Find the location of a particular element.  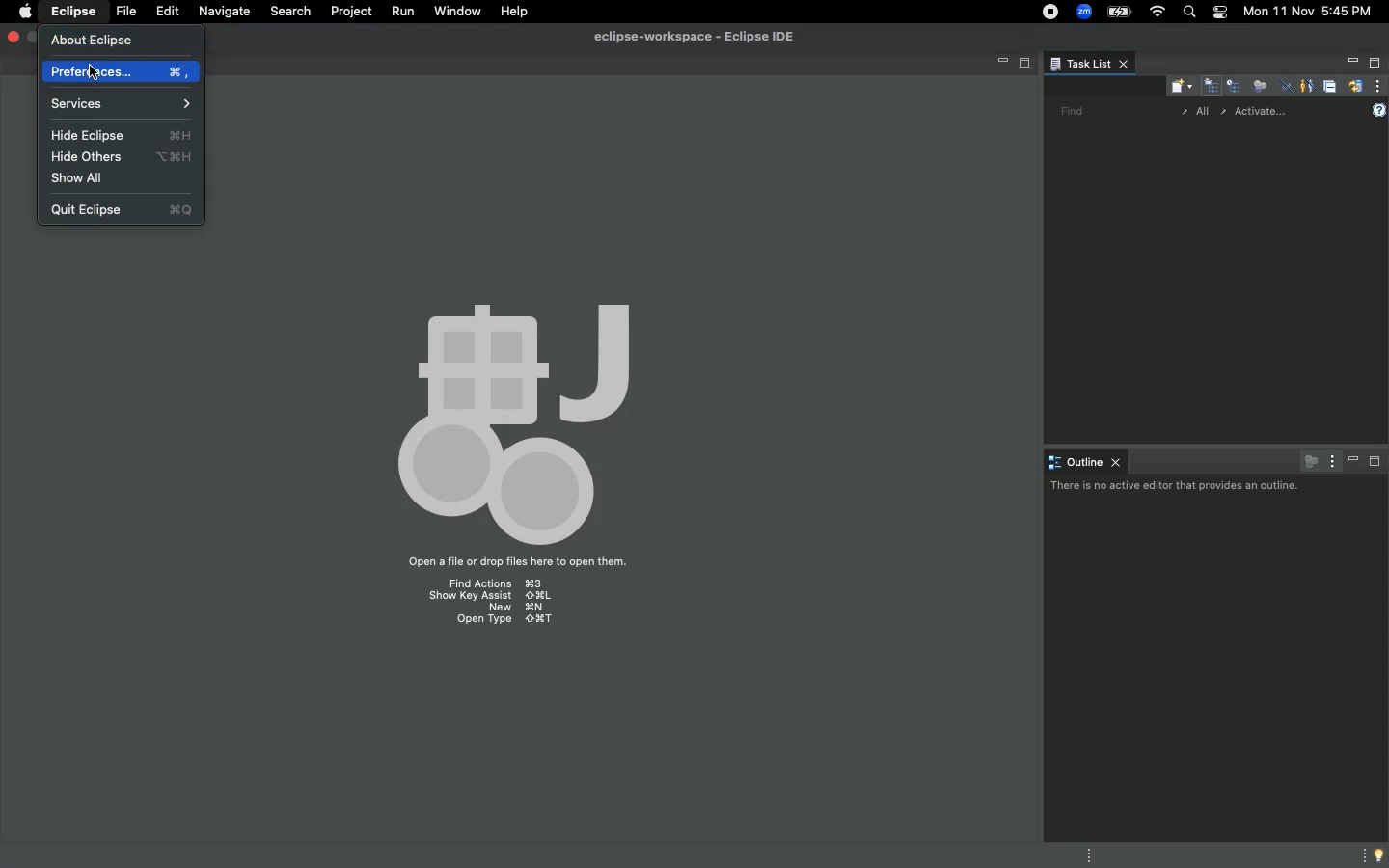

About eclipse is located at coordinates (93, 40).